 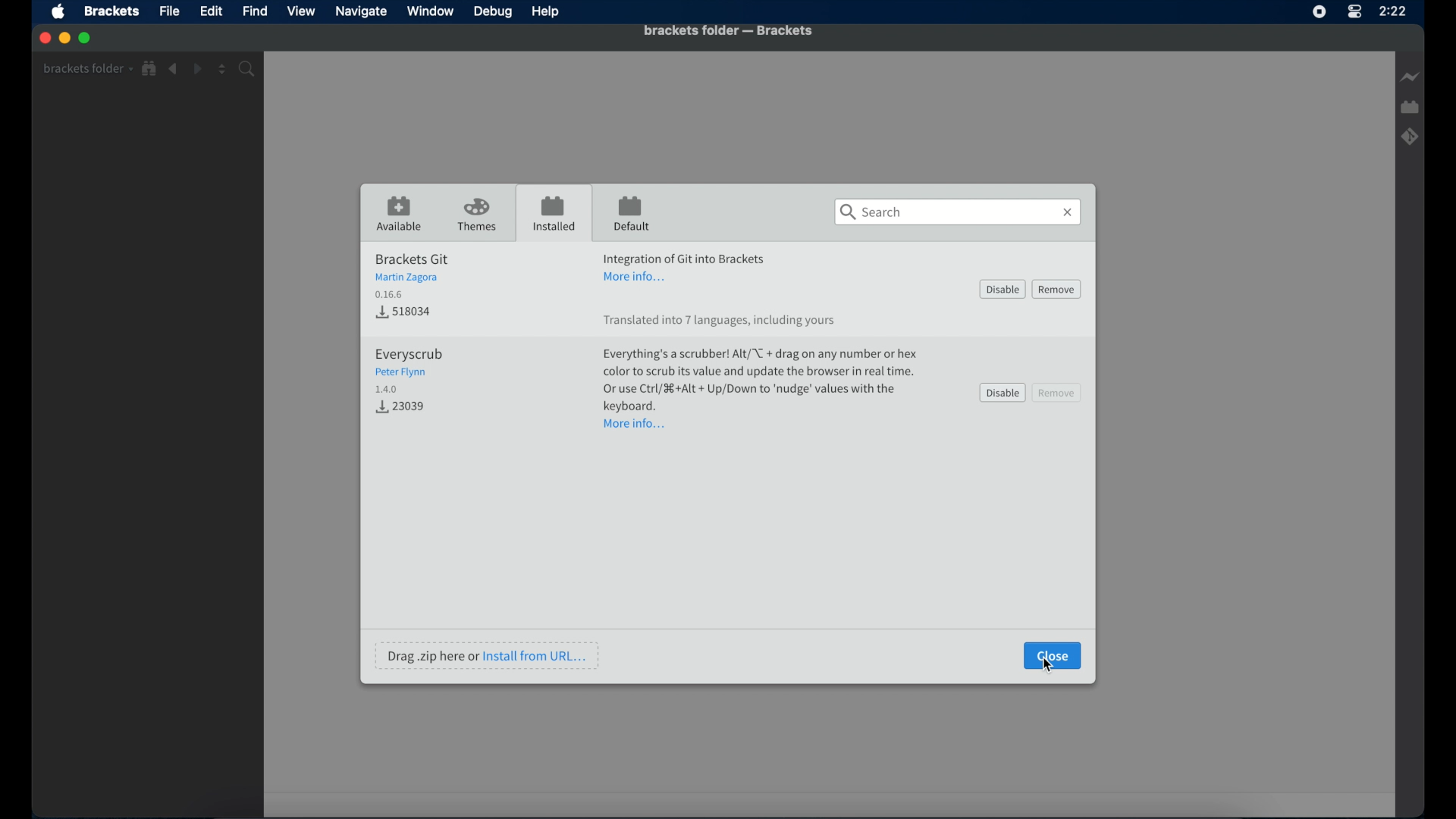 What do you see at coordinates (546, 12) in the screenshot?
I see `help` at bounding box center [546, 12].